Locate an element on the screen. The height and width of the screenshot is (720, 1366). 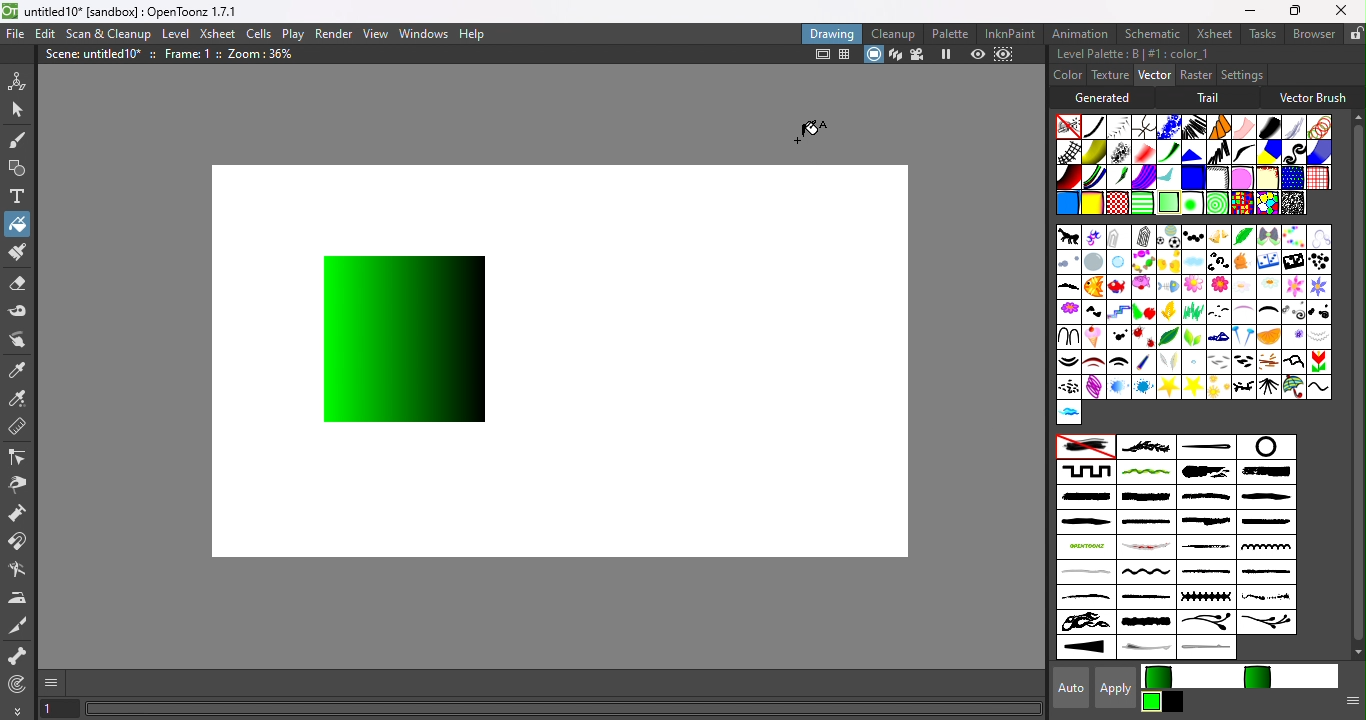
fishbone is located at coordinates (1168, 287).